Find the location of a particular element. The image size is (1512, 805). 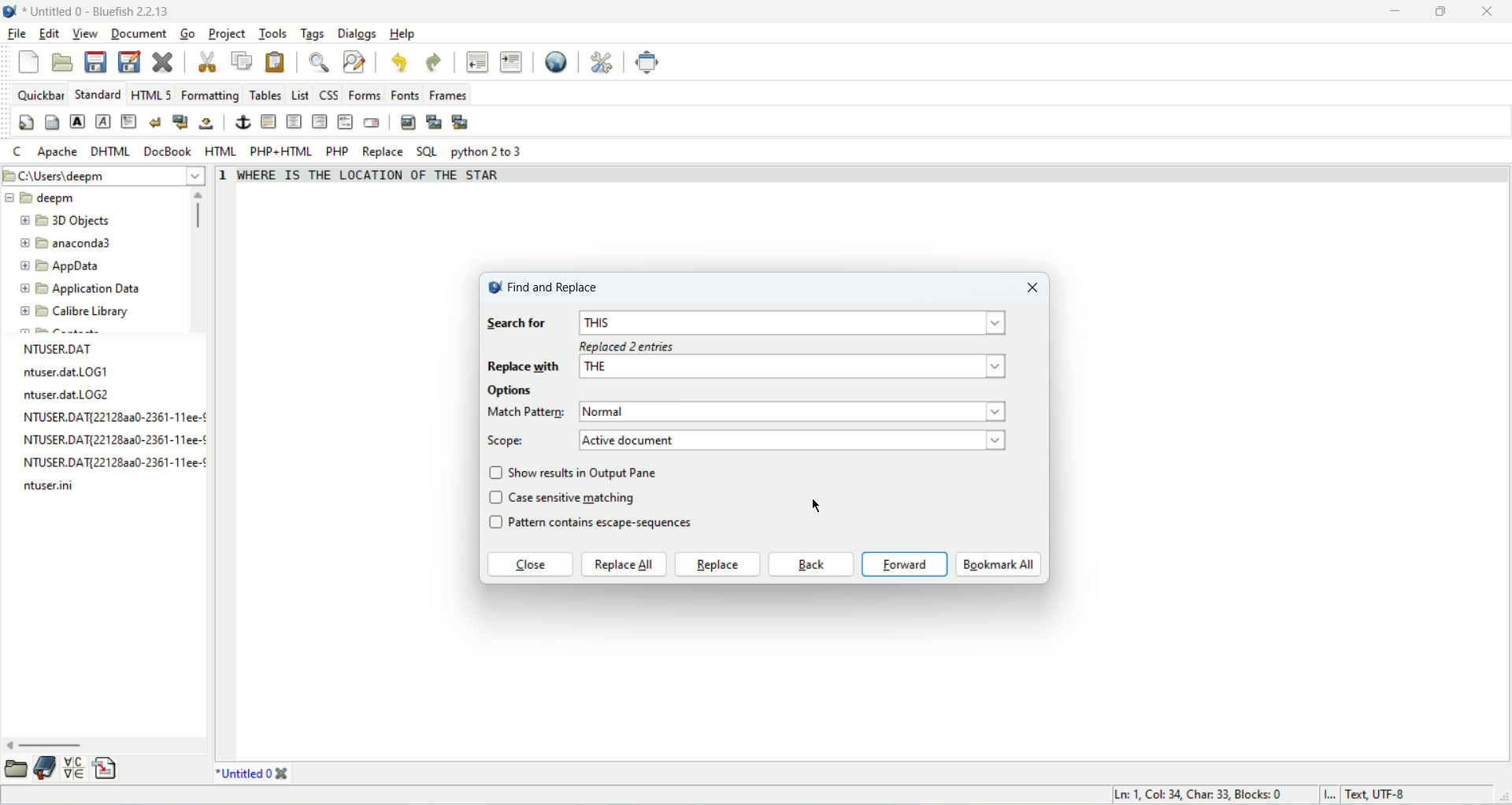

close is located at coordinates (1483, 12).